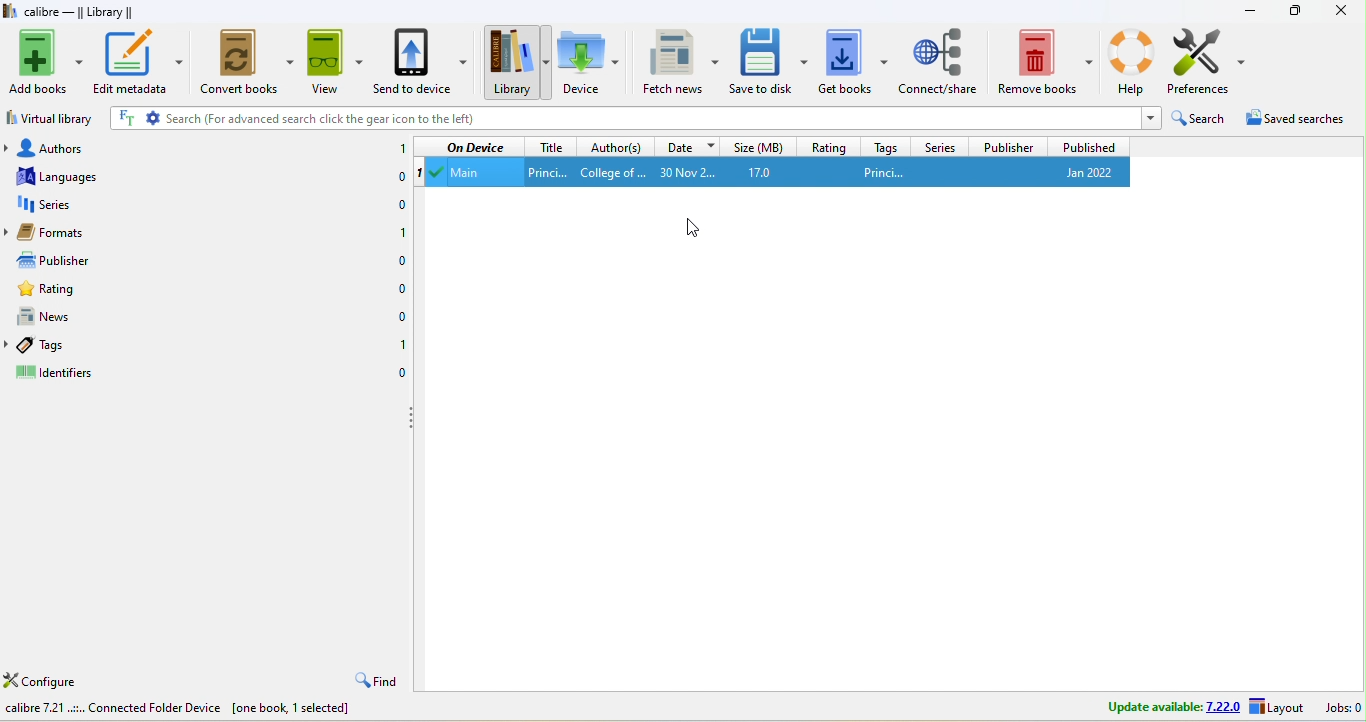 This screenshot has width=1366, height=722. Describe the element at coordinates (853, 60) in the screenshot. I see `get books` at that location.